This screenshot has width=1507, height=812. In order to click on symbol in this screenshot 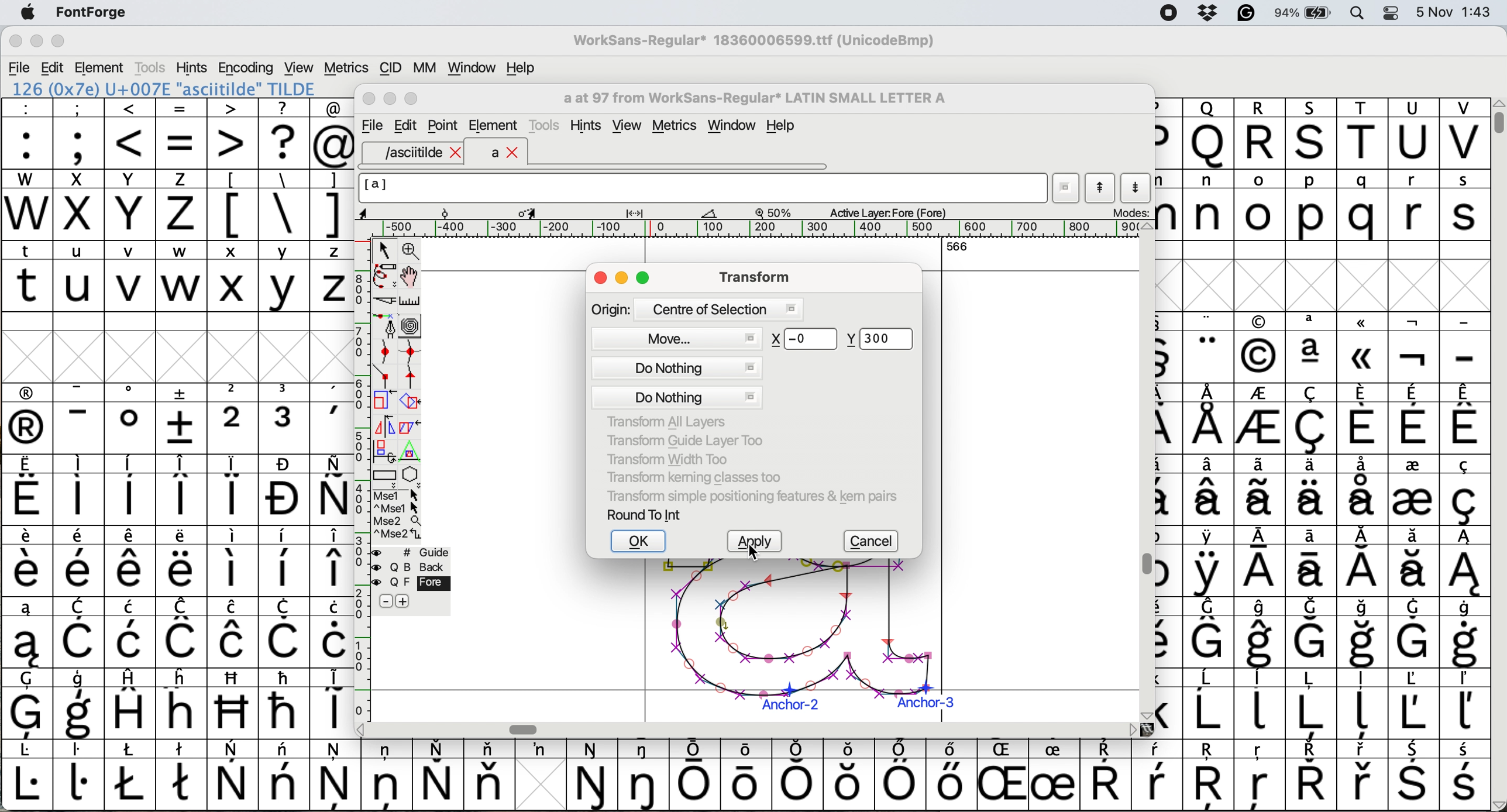, I will do `click(130, 490)`.